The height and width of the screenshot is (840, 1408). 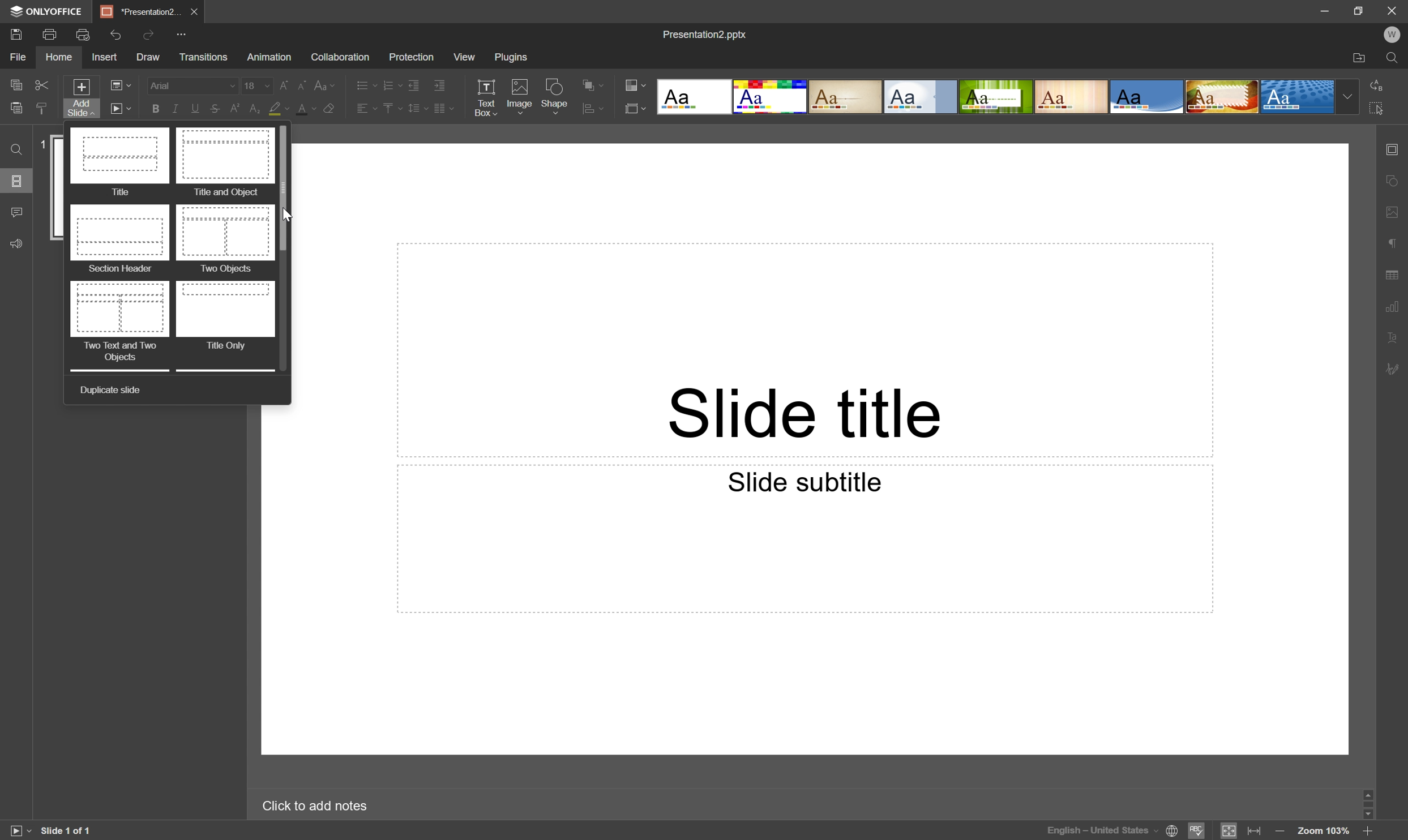 What do you see at coordinates (391, 83) in the screenshot?
I see `Numbering` at bounding box center [391, 83].